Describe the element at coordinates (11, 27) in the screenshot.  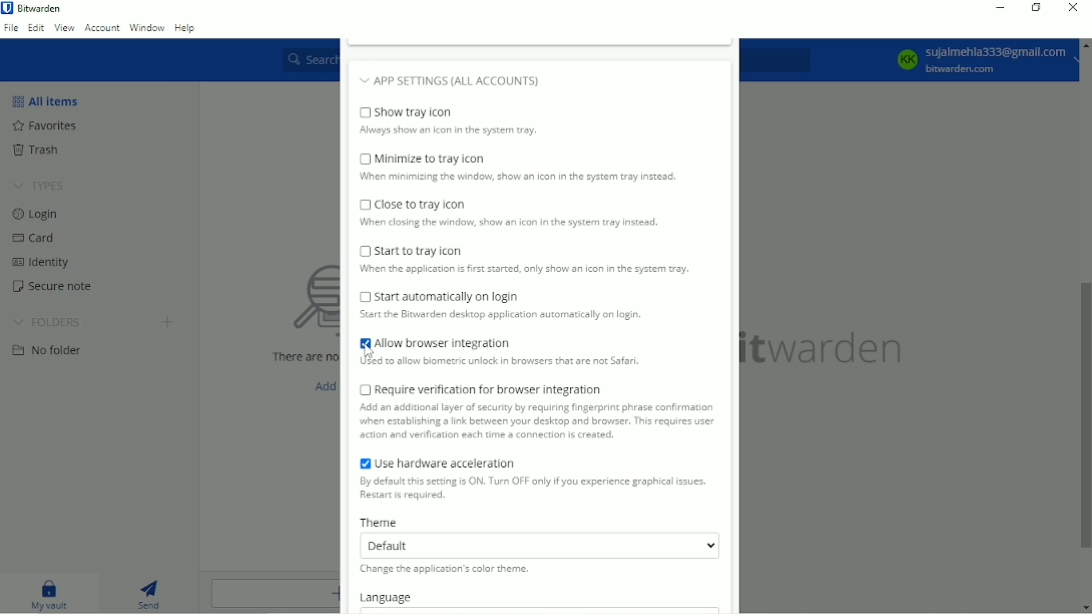
I see `File` at that location.